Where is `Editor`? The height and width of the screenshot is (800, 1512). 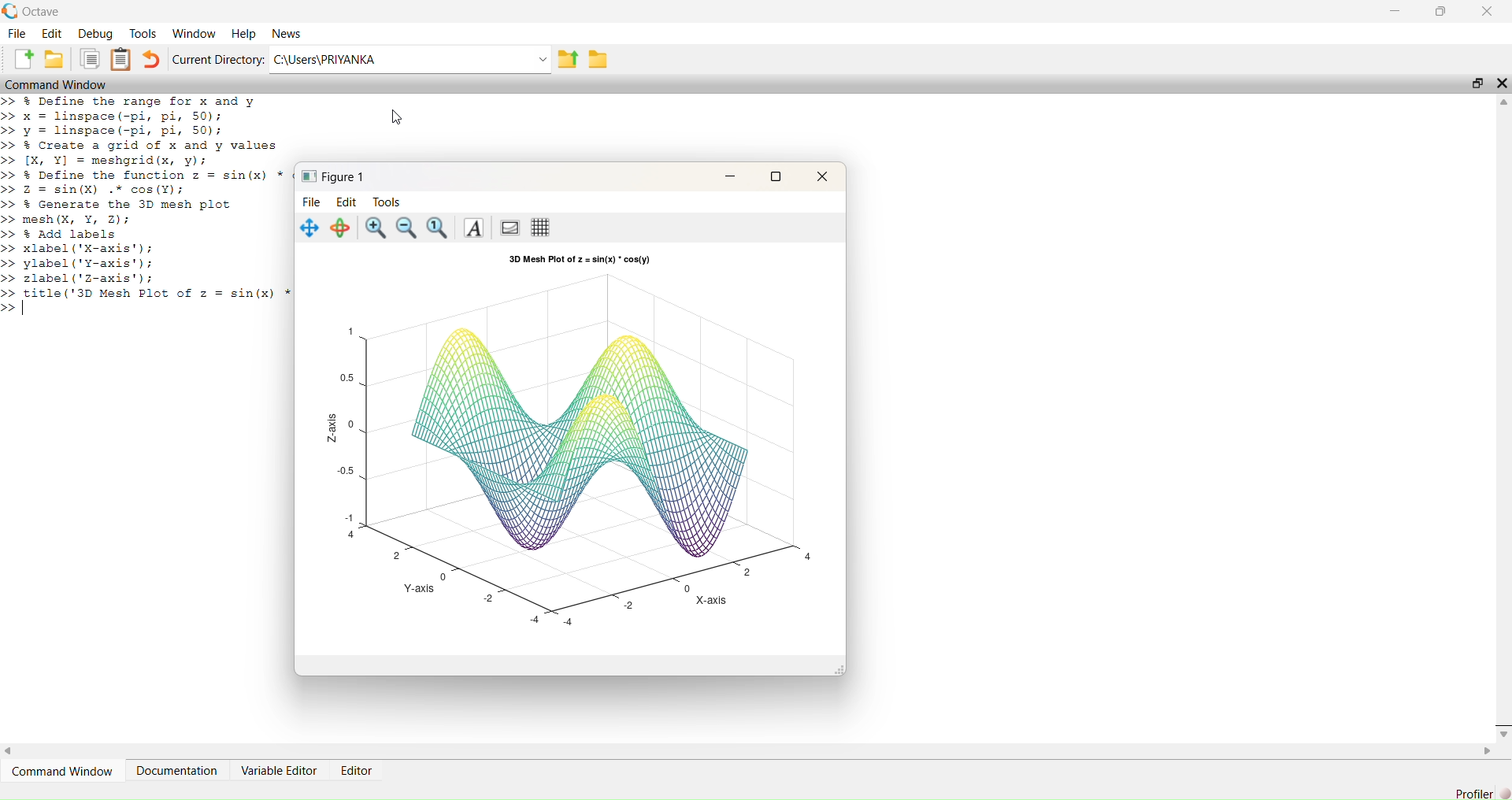 Editor is located at coordinates (360, 770).